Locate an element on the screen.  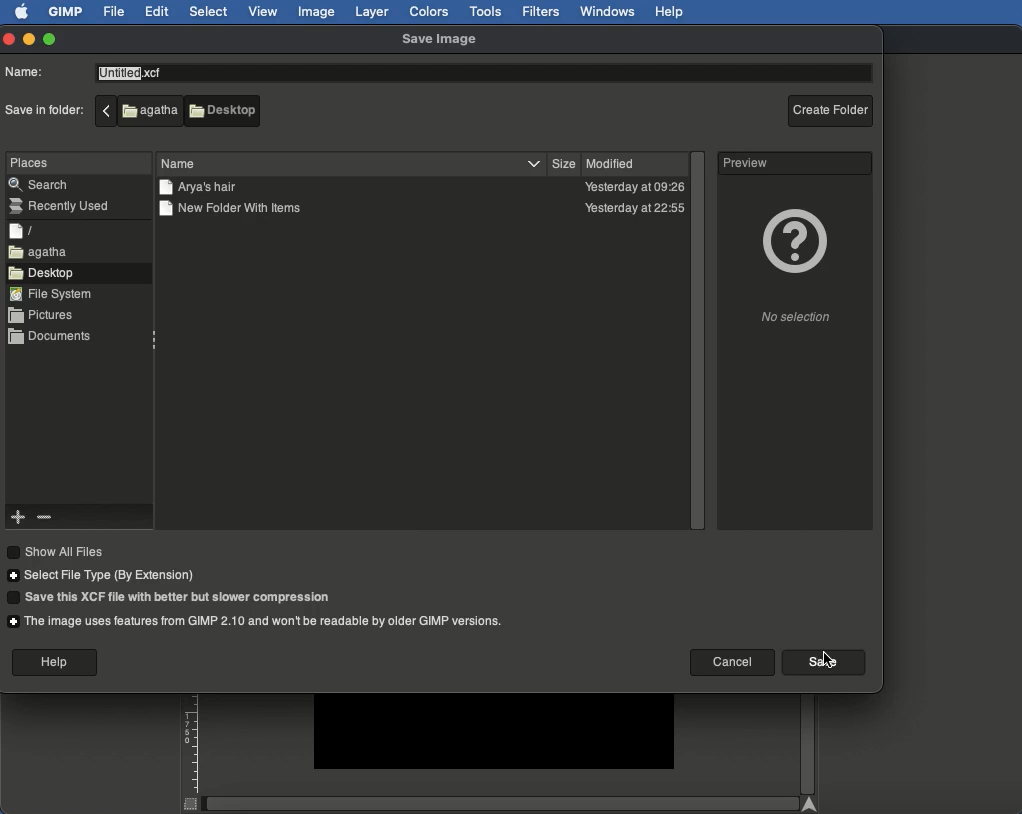
Close is located at coordinates (9, 40).